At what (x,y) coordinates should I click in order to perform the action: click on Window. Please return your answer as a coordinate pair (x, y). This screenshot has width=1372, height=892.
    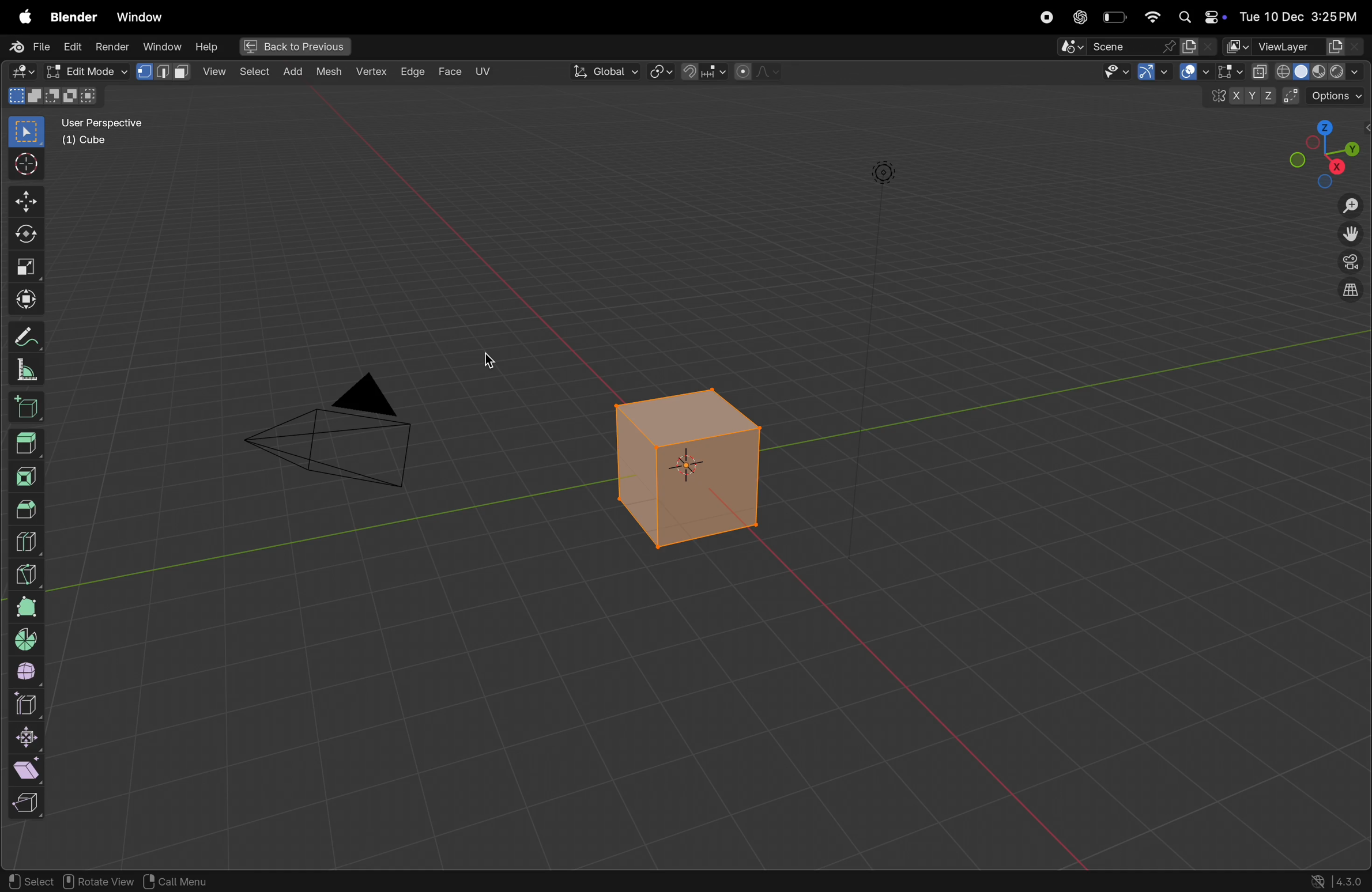
    Looking at the image, I should click on (161, 46).